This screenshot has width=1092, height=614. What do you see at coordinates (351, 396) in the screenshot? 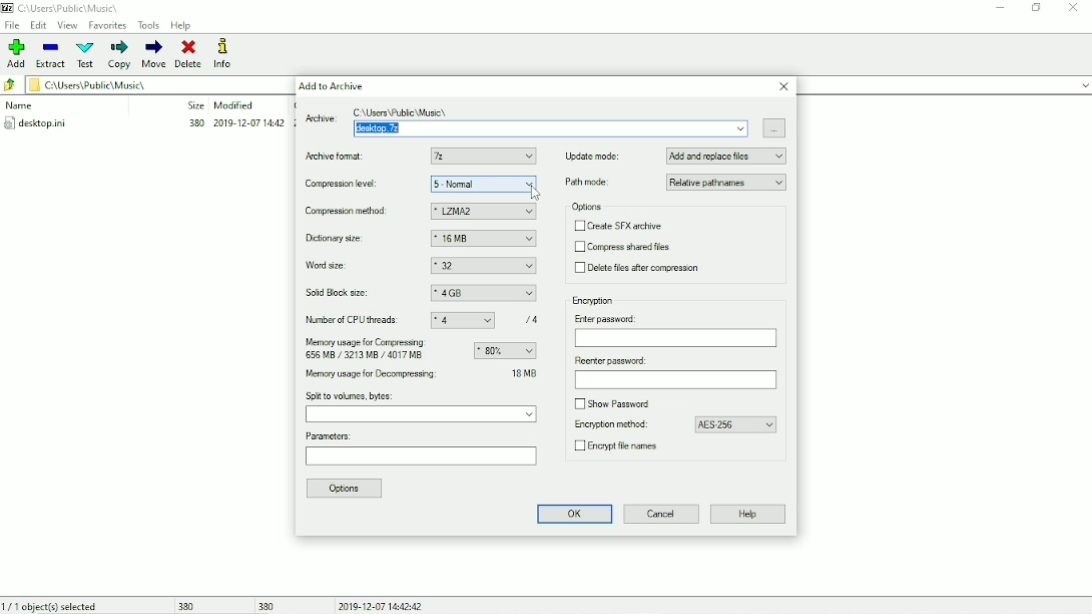
I see `Split to volumes, bytes:` at bounding box center [351, 396].